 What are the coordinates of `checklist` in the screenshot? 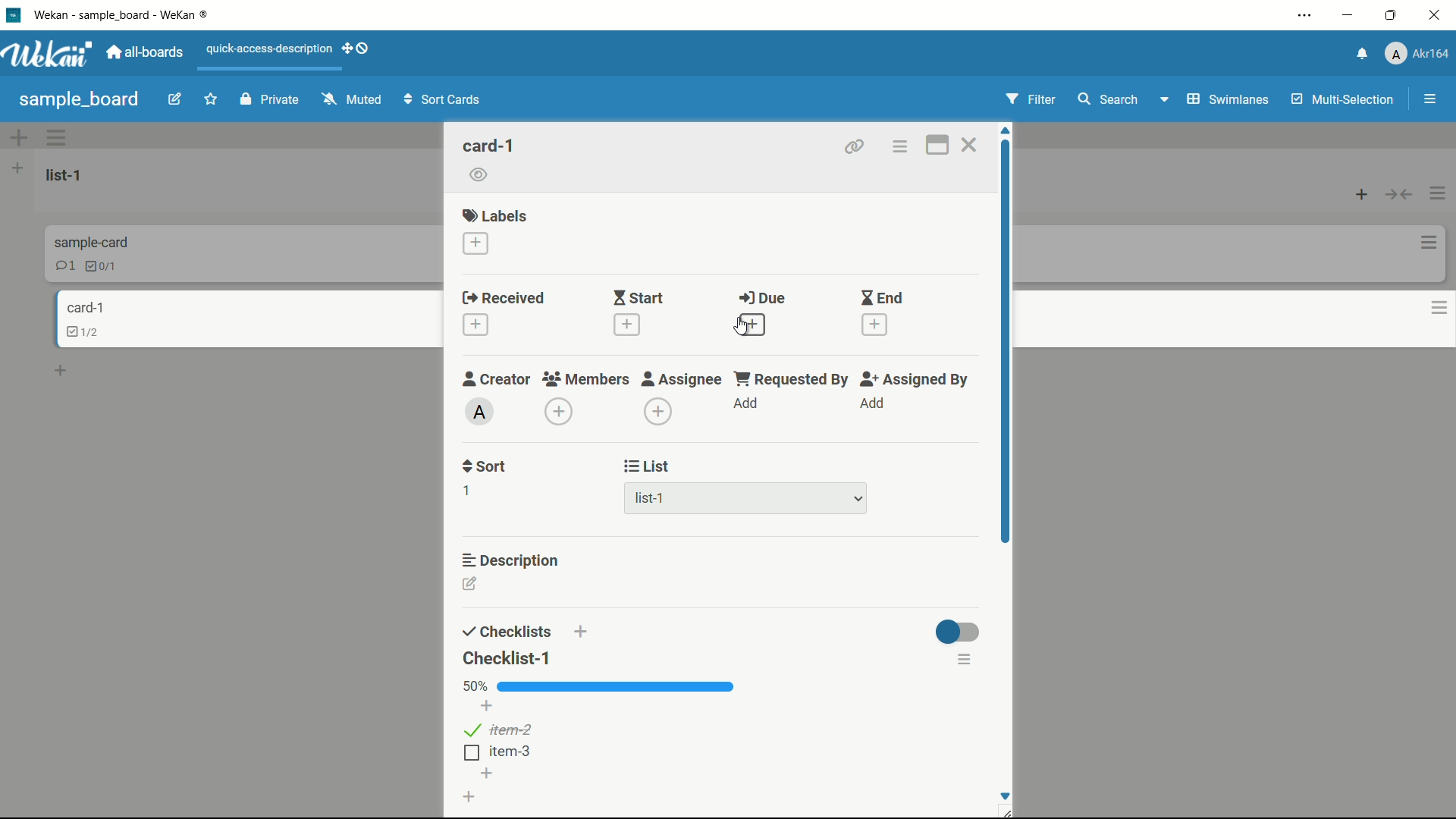 It's located at (103, 268).